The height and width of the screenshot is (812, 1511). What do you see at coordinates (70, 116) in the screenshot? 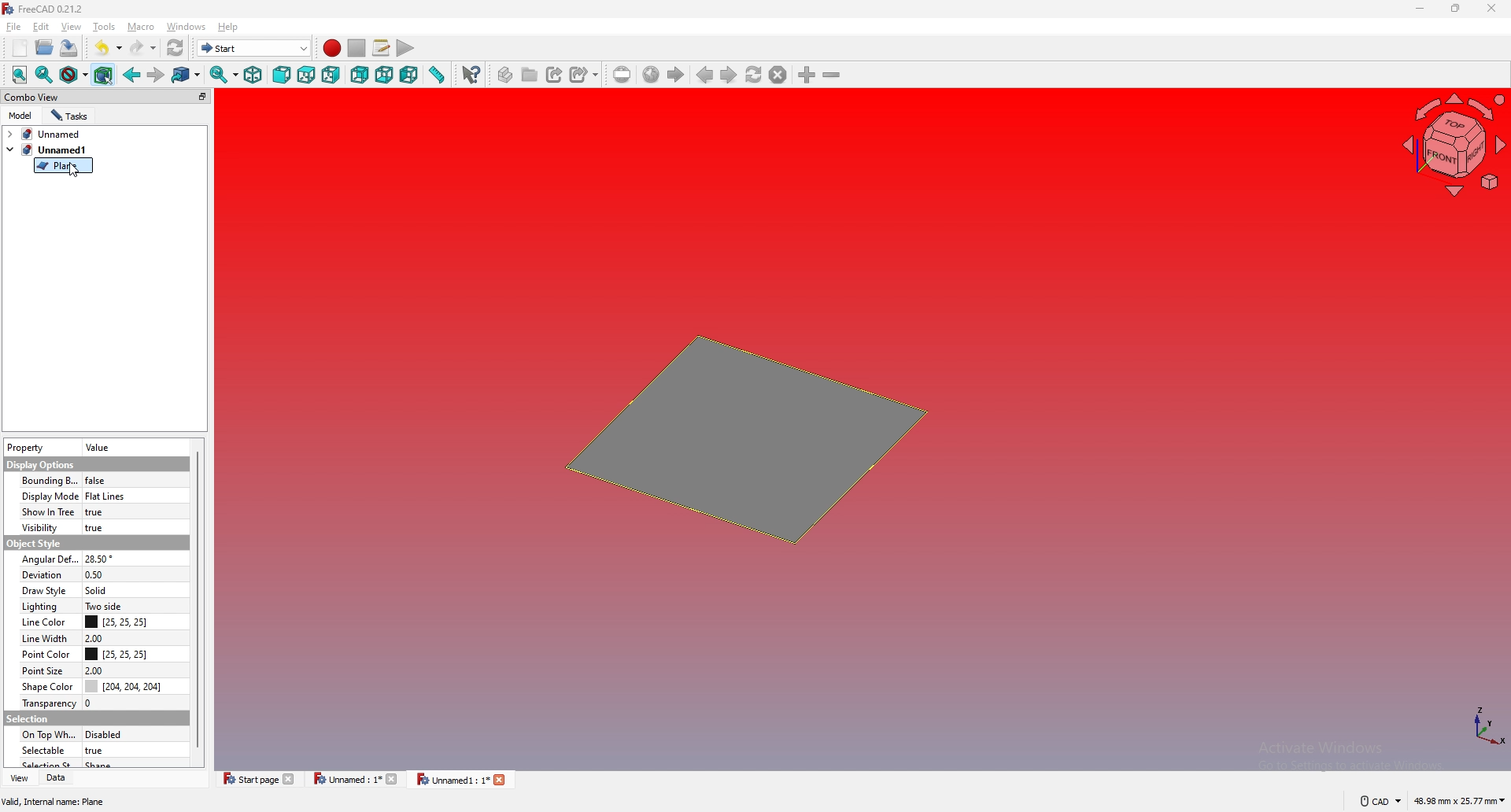
I see `tasks` at bounding box center [70, 116].